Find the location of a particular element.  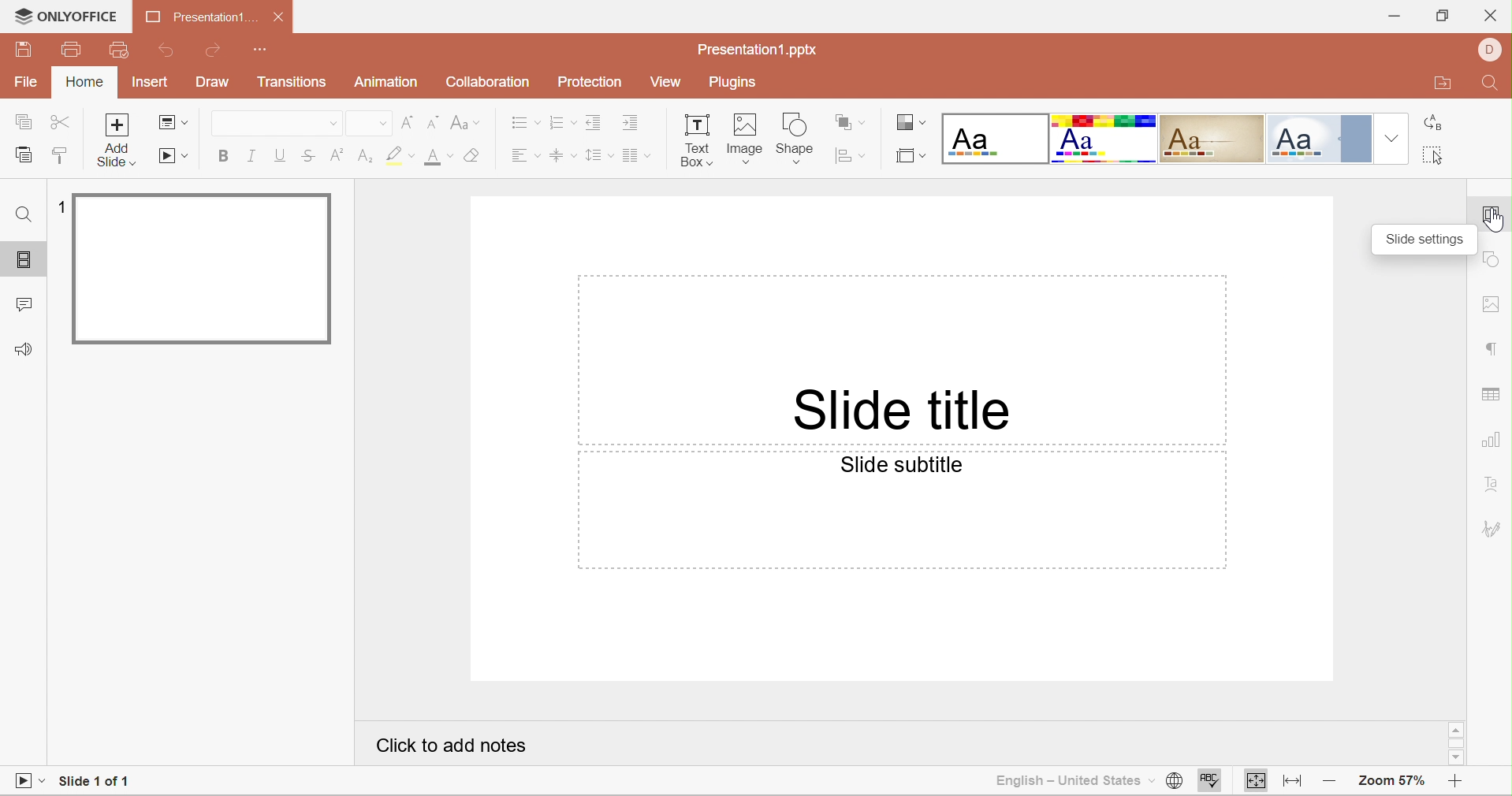

Align shape is located at coordinates (850, 154).